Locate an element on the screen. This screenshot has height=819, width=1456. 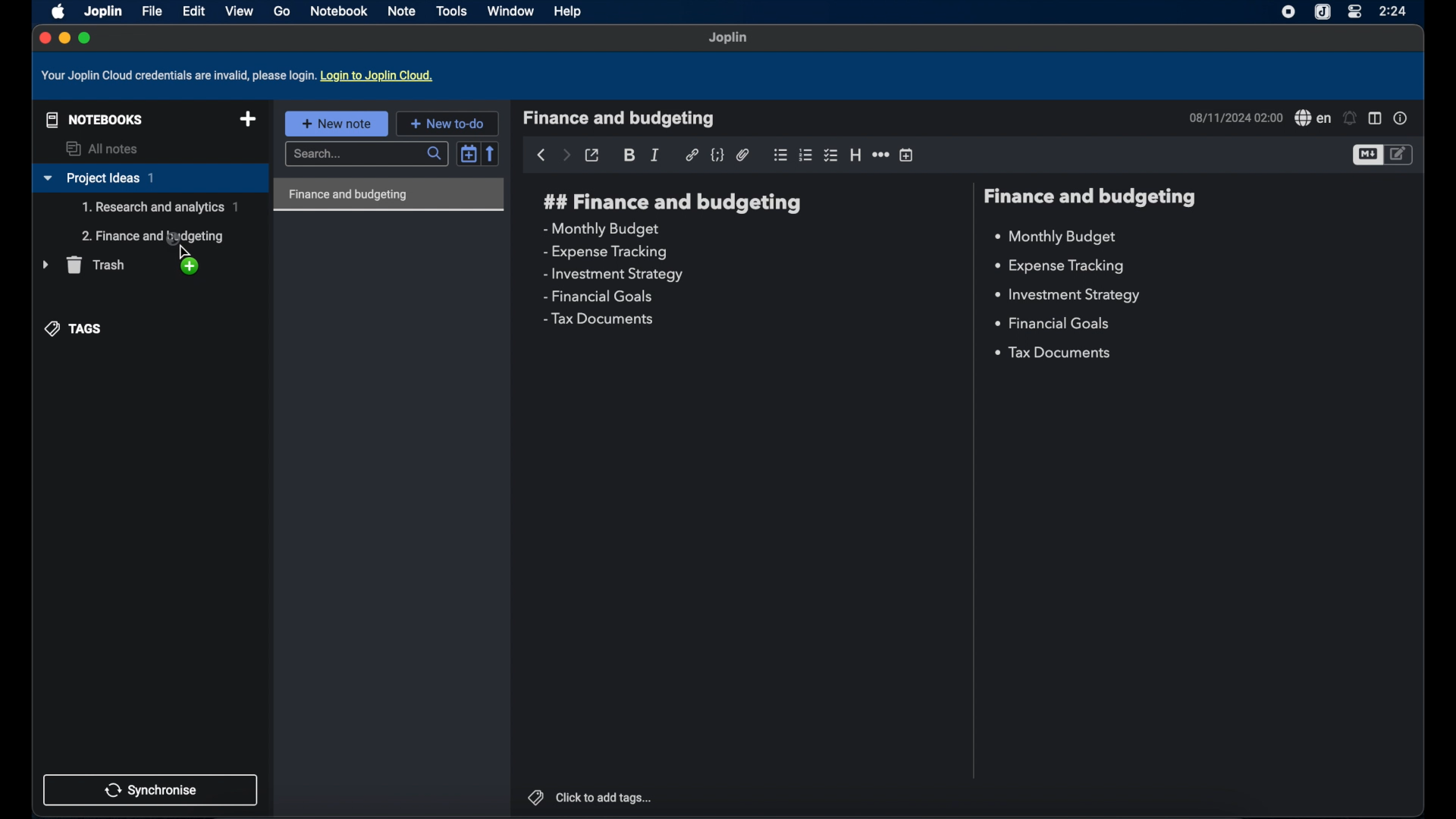
notebook is located at coordinates (340, 11).